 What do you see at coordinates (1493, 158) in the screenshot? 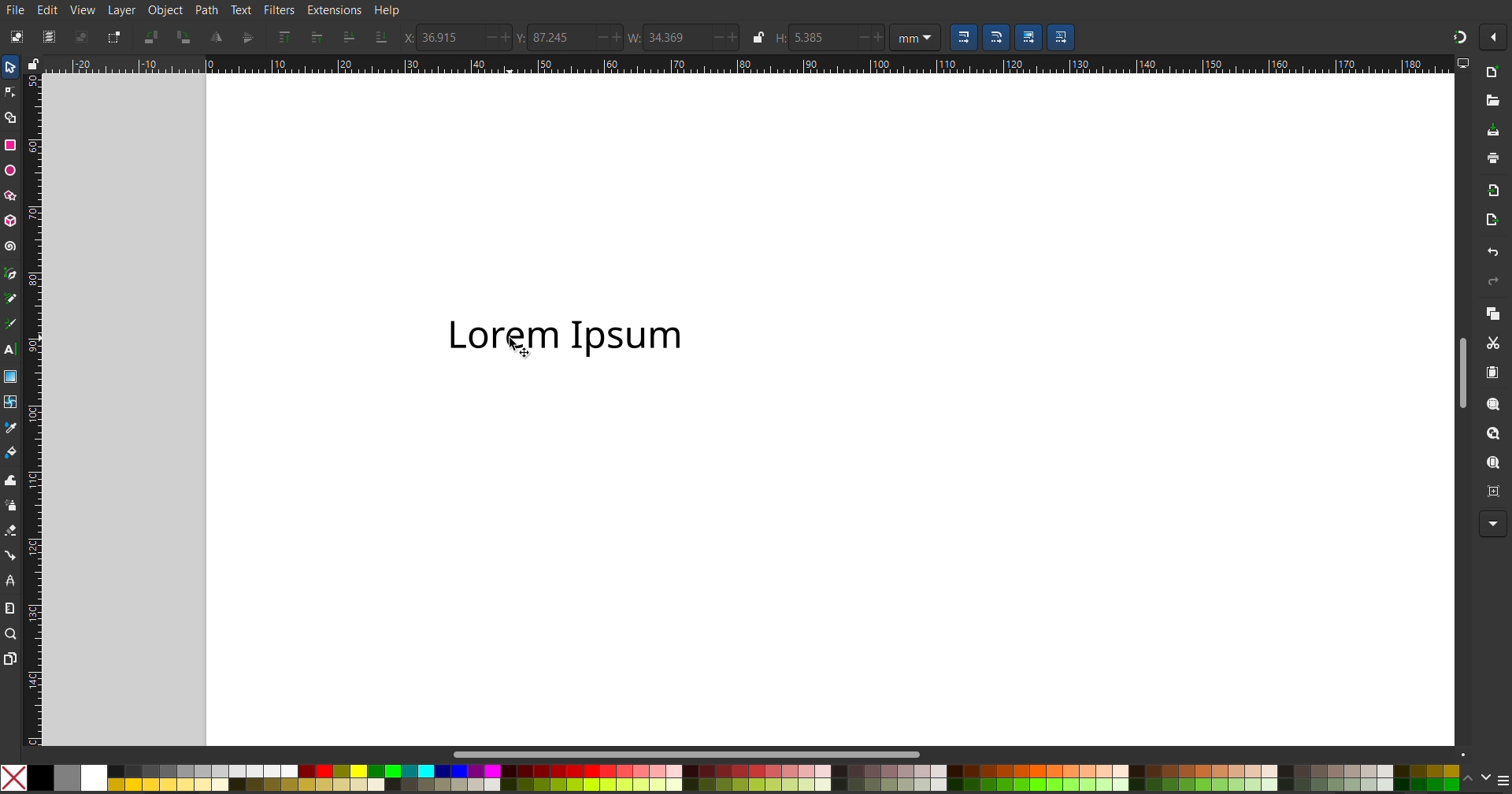
I see `Print` at bounding box center [1493, 158].